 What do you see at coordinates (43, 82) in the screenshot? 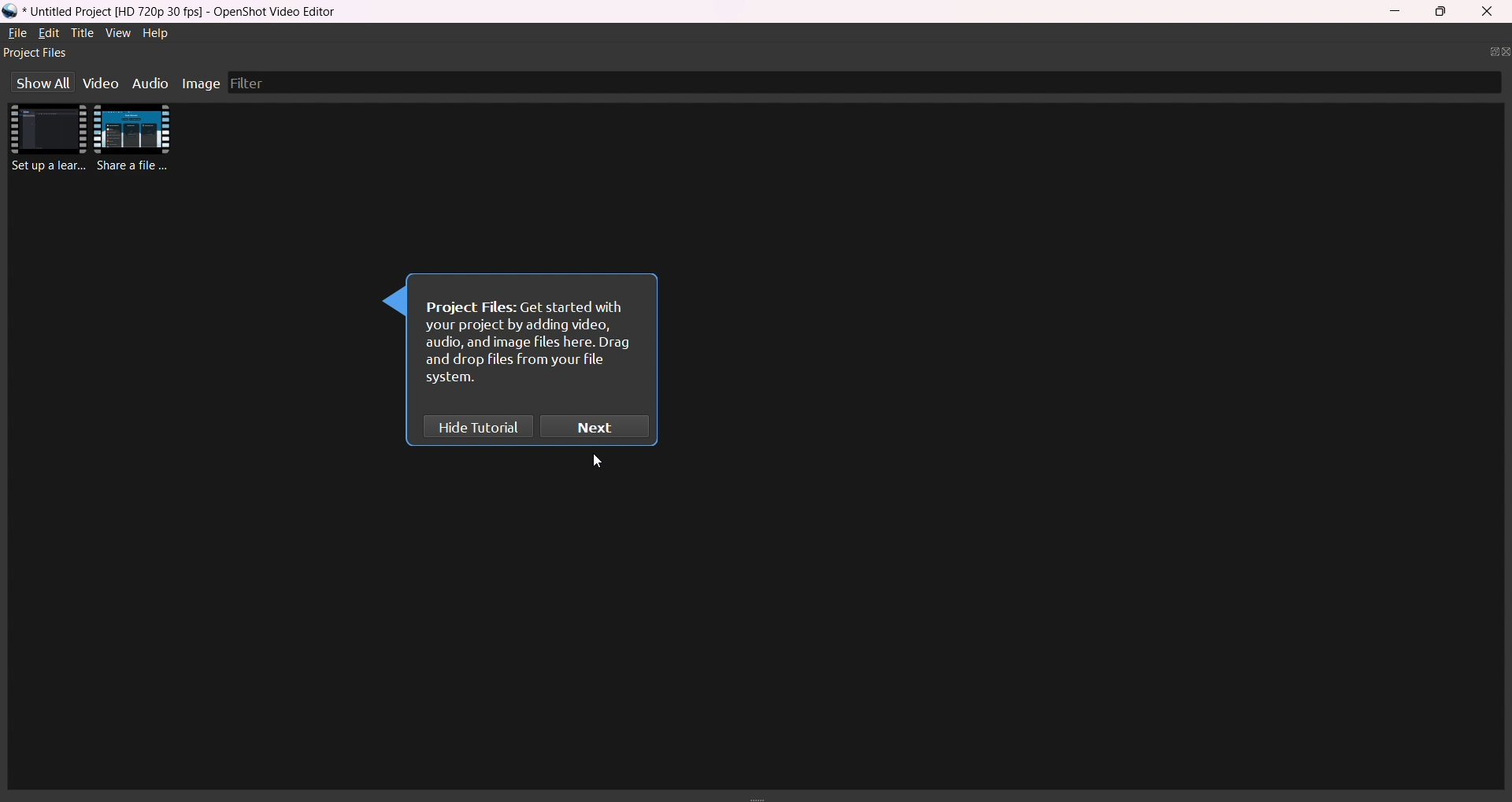
I see `show all` at bounding box center [43, 82].